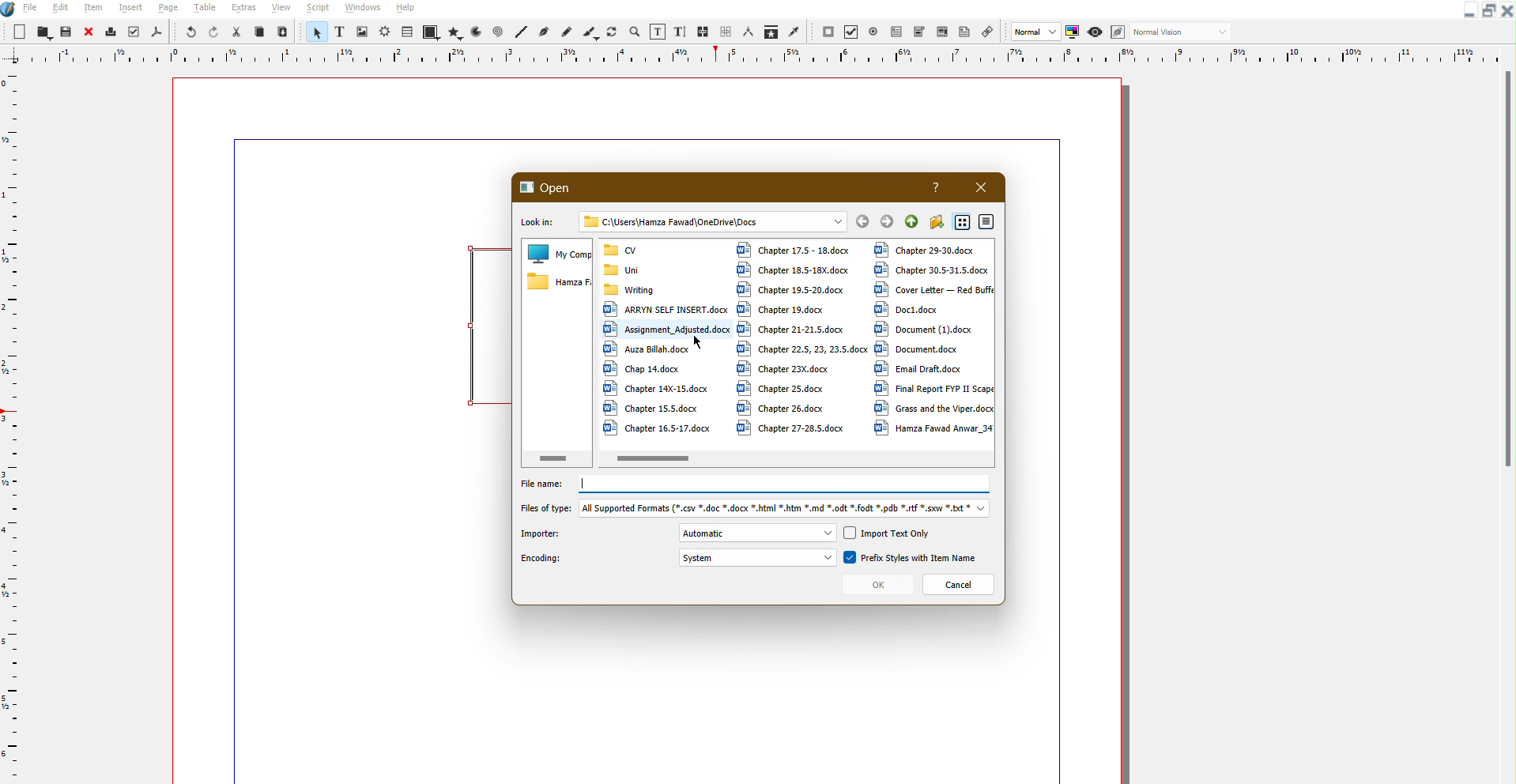 This screenshot has height=784, width=1516. What do you see at coordinates (878, 585) in the screenshot?
I see `OK` at bounding box center [878, 585].